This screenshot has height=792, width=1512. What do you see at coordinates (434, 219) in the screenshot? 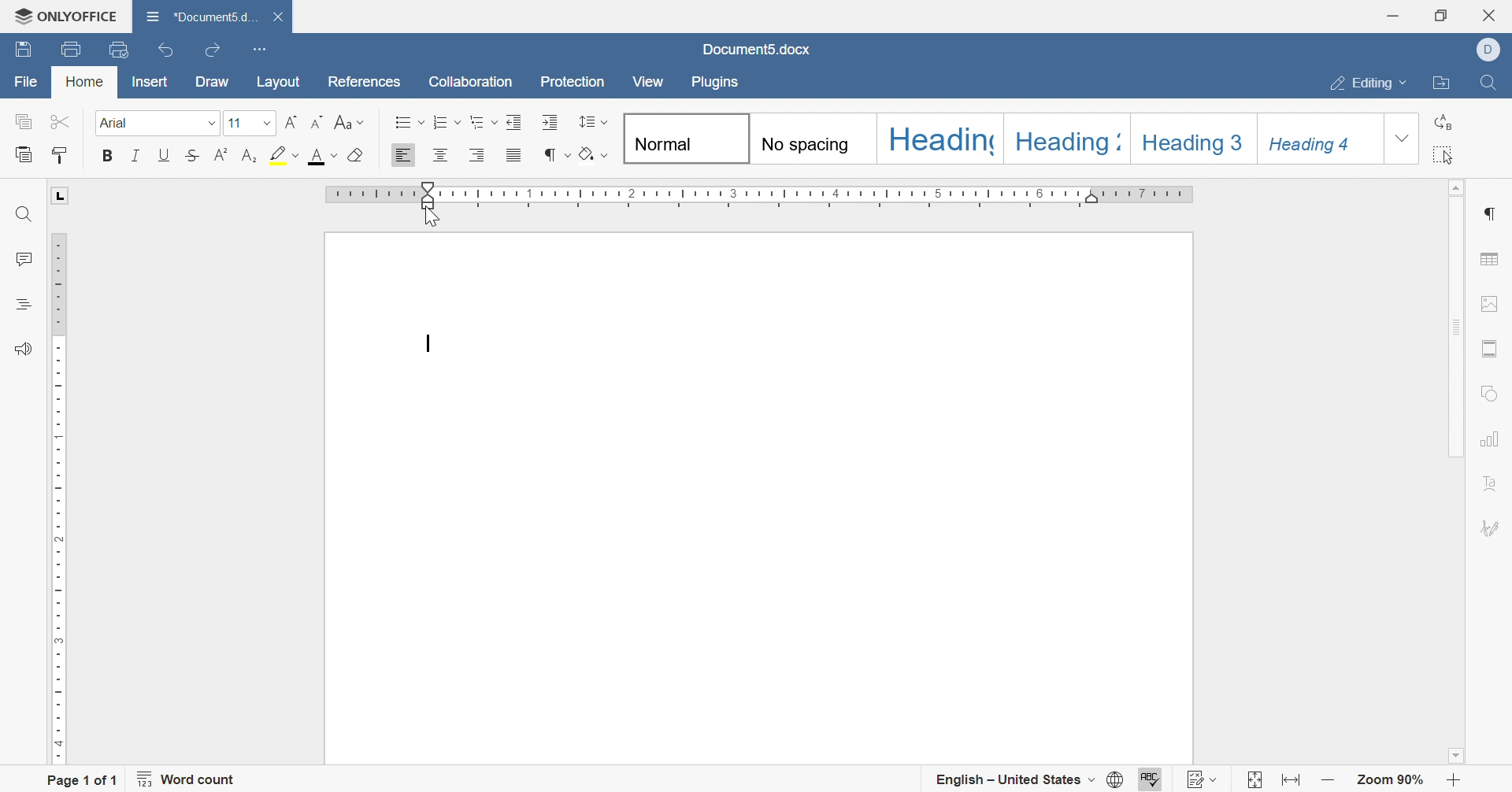
I see `cursor` at bounding box center [434, 219].